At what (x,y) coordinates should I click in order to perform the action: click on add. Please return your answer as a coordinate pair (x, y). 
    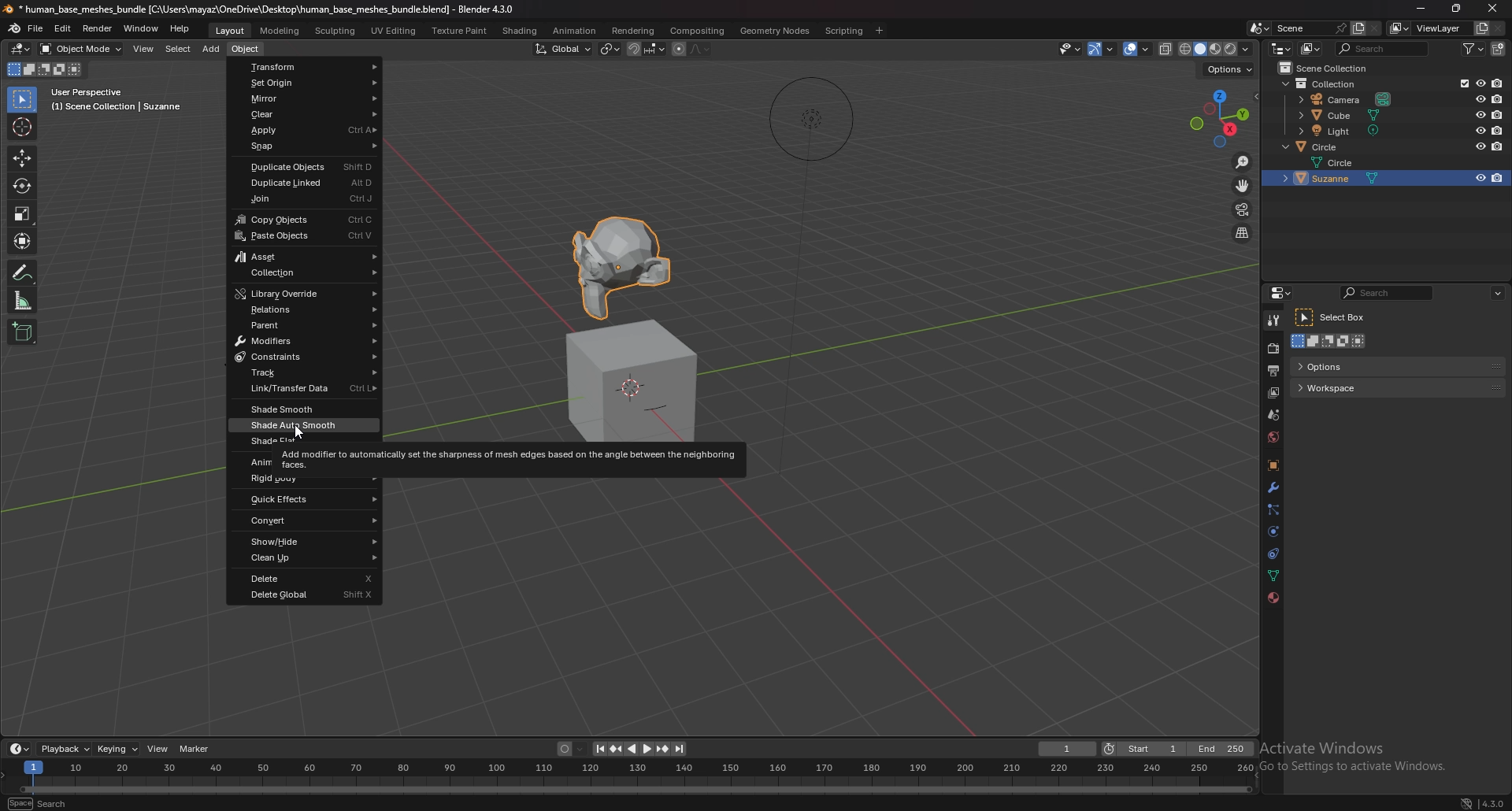
    Looking at the image, I should click on (213, 49).